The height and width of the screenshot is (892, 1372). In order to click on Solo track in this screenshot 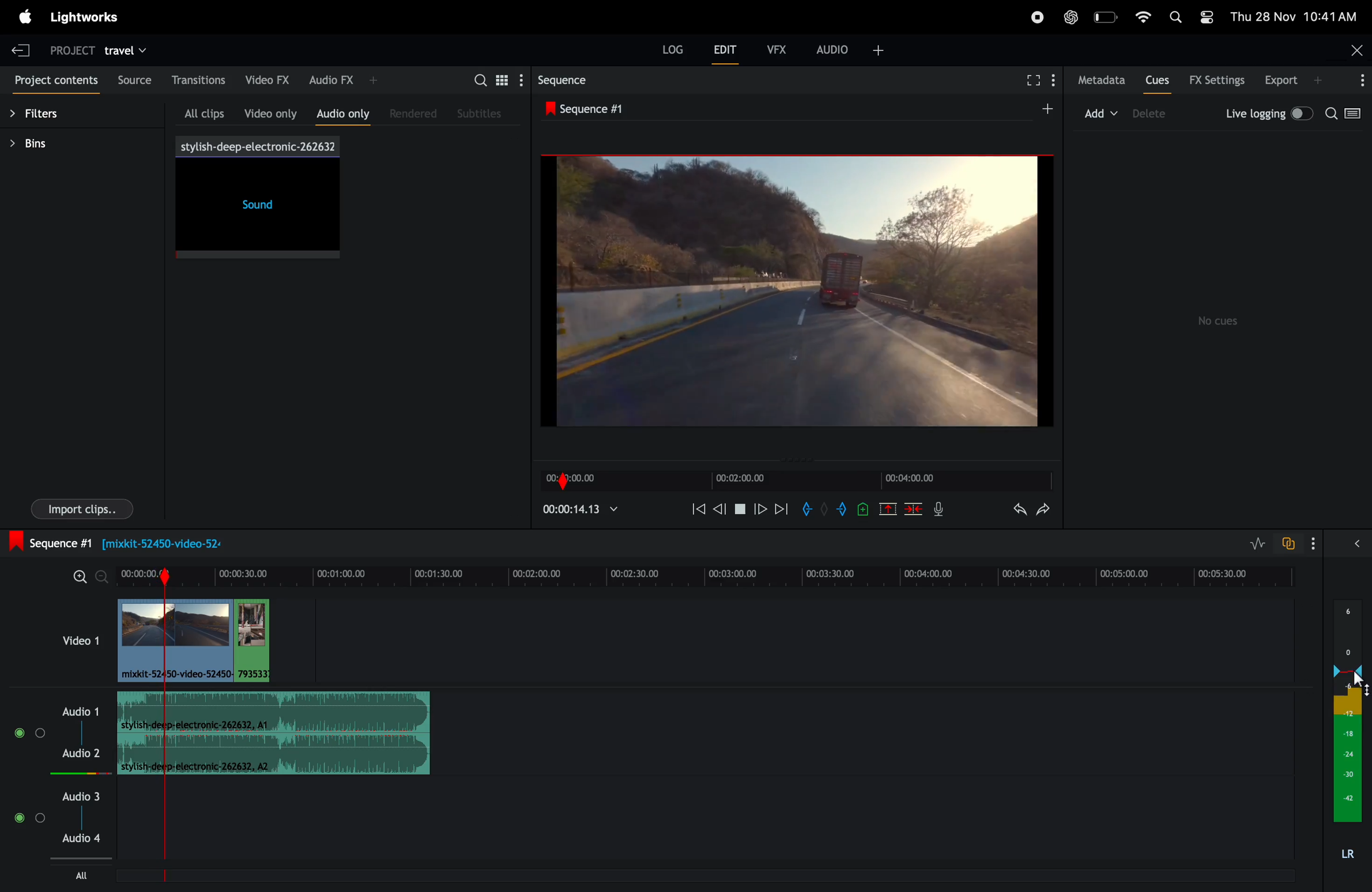, I will do `click(45, 735)`.